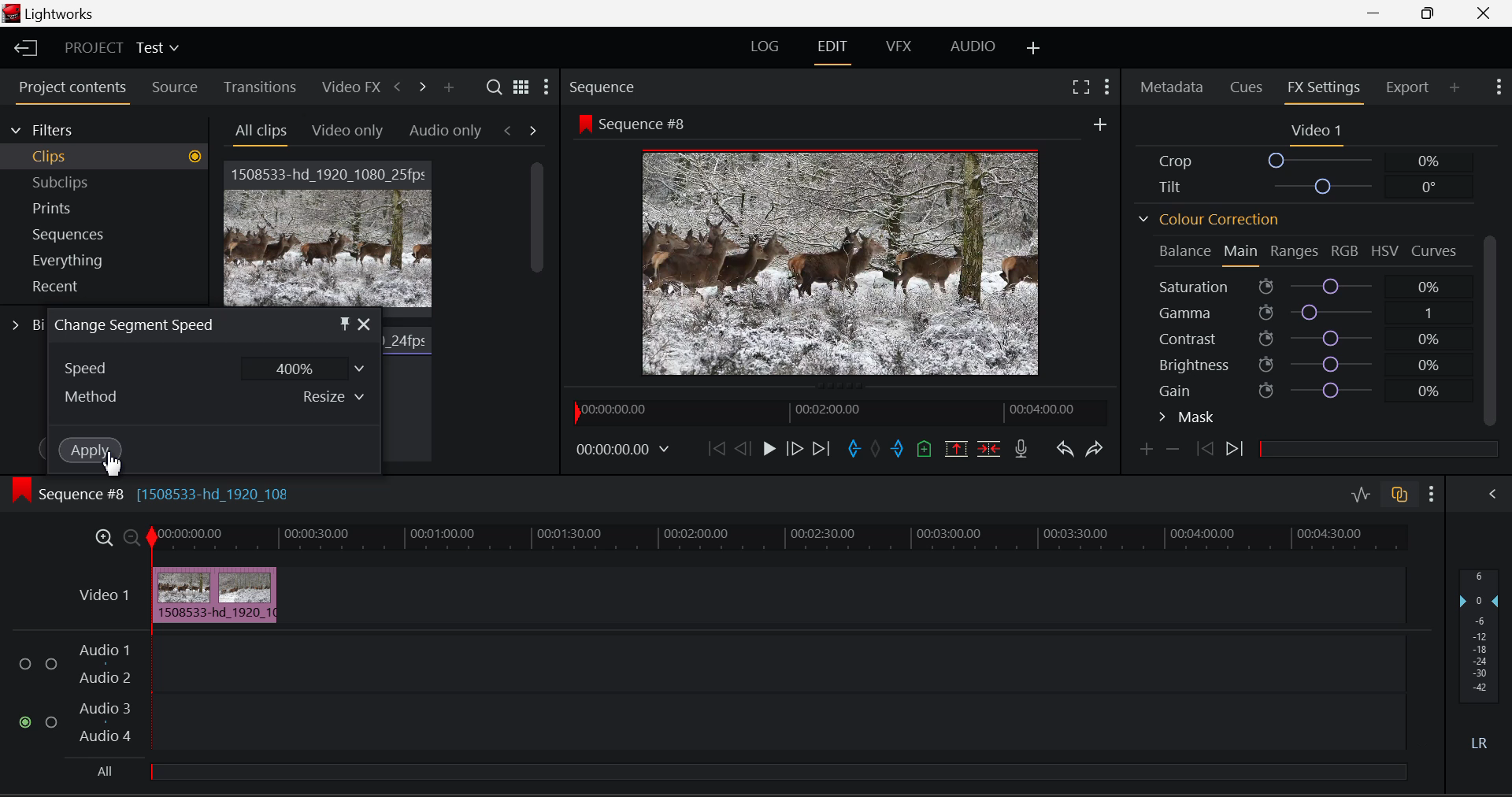 The image size is (1512, 797). Describe the element at coordinates (1173, 451) in the screenshot. I see `Remove keyframe` at that location.